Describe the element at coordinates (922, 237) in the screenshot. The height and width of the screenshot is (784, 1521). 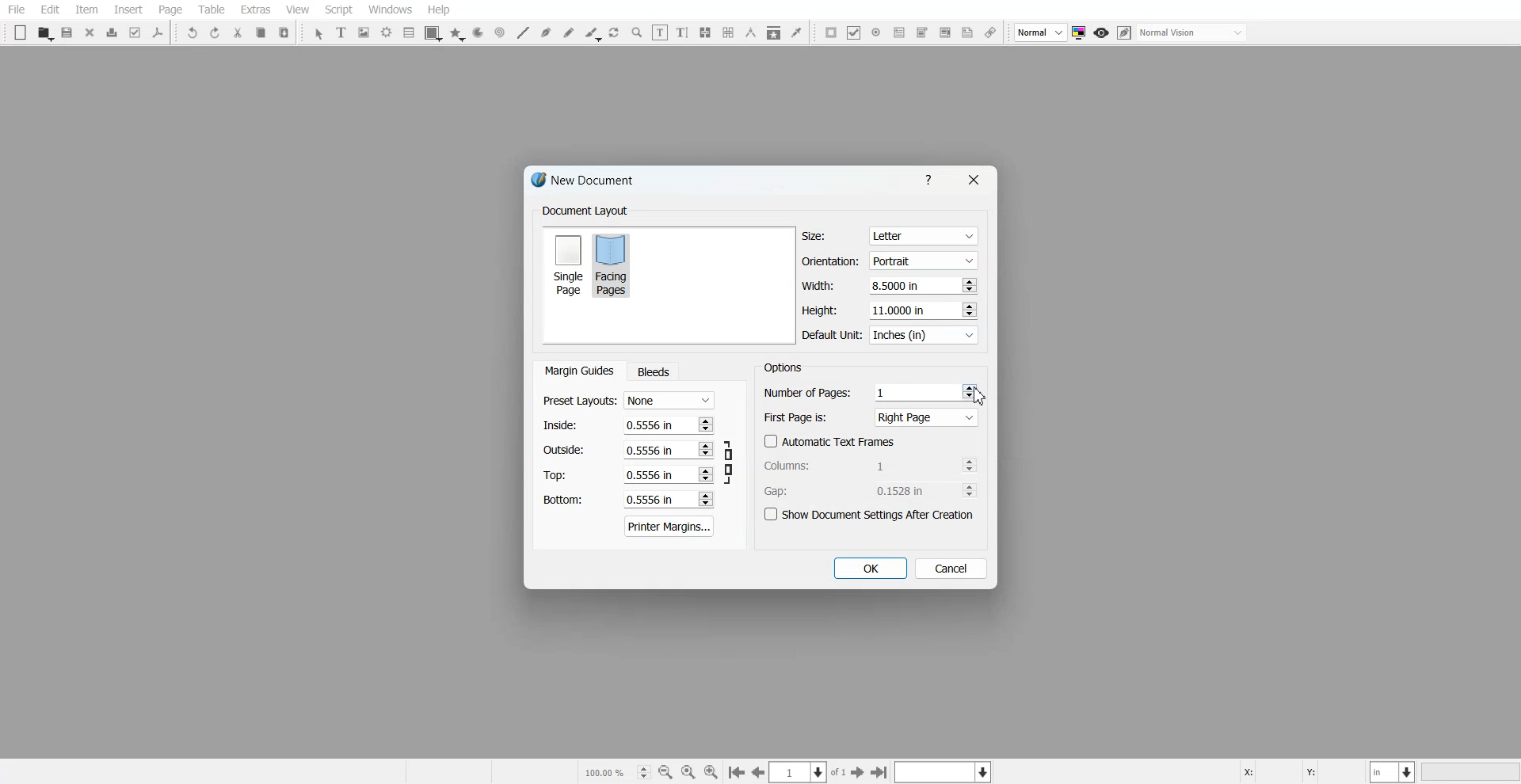
I see `Letter` at that location.